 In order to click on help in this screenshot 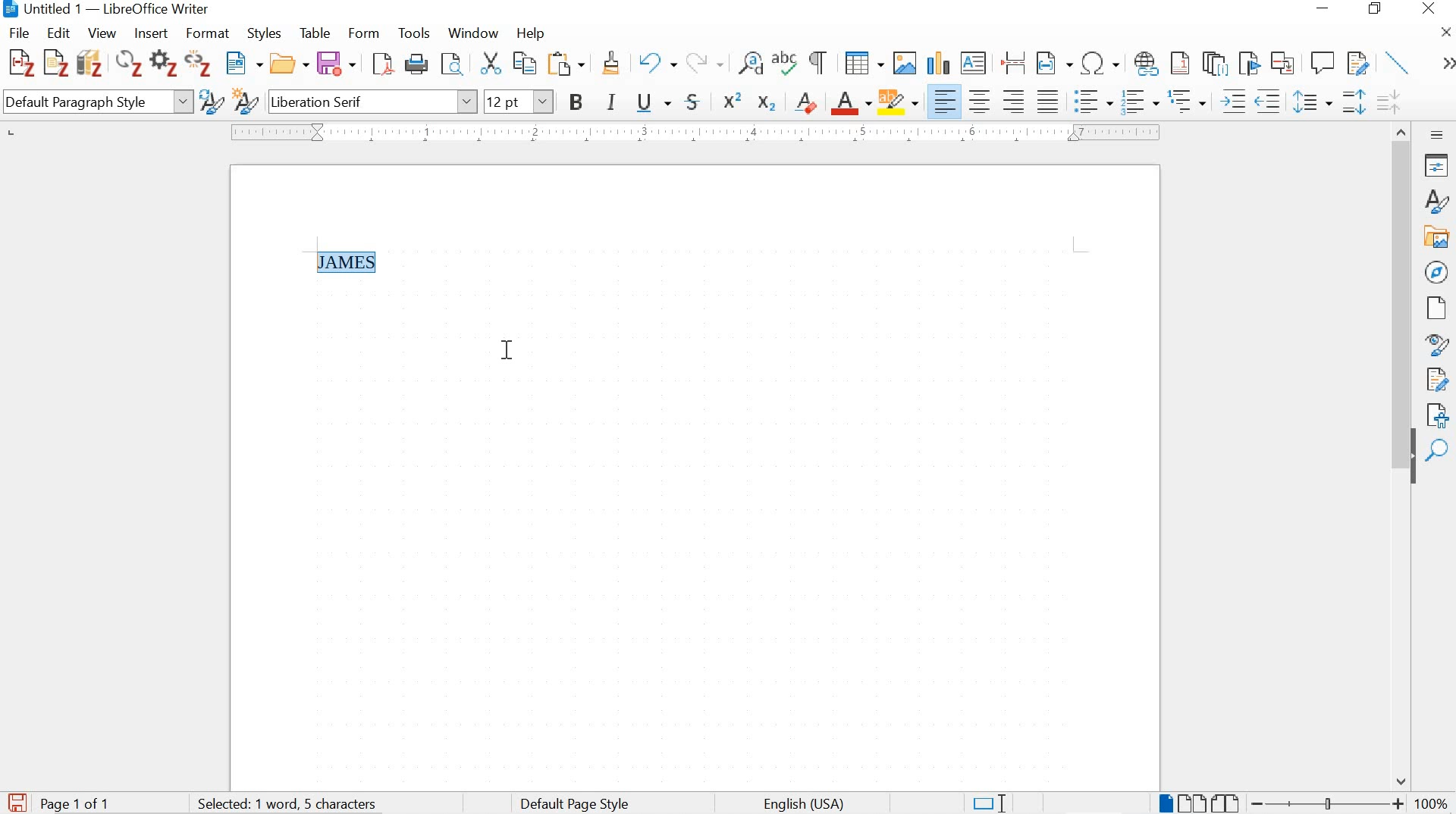, I will do `click(529, 33)`.